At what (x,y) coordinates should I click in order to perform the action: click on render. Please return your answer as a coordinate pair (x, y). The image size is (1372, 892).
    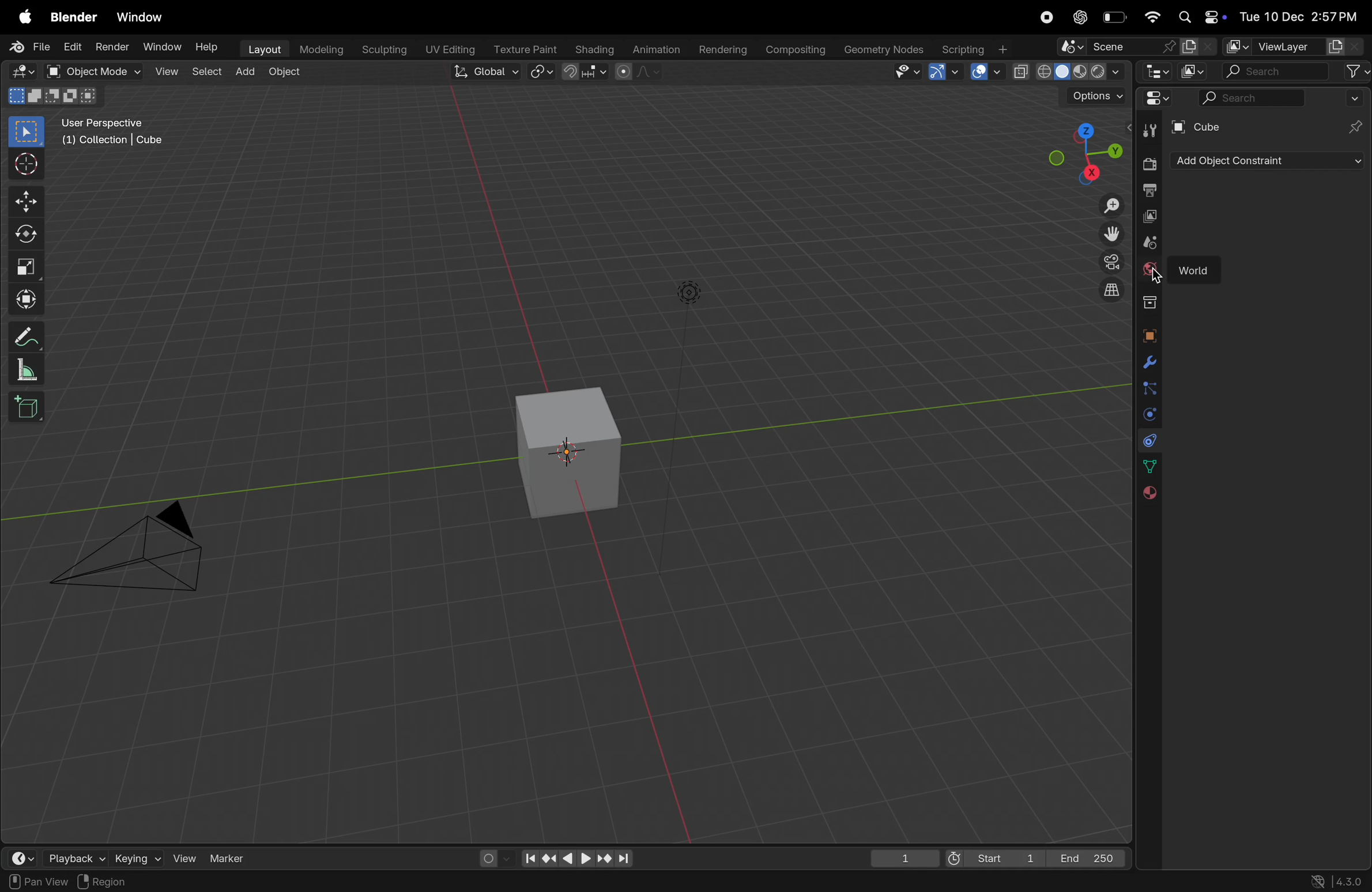
    Looking at the image, I should click on (1148, 164).